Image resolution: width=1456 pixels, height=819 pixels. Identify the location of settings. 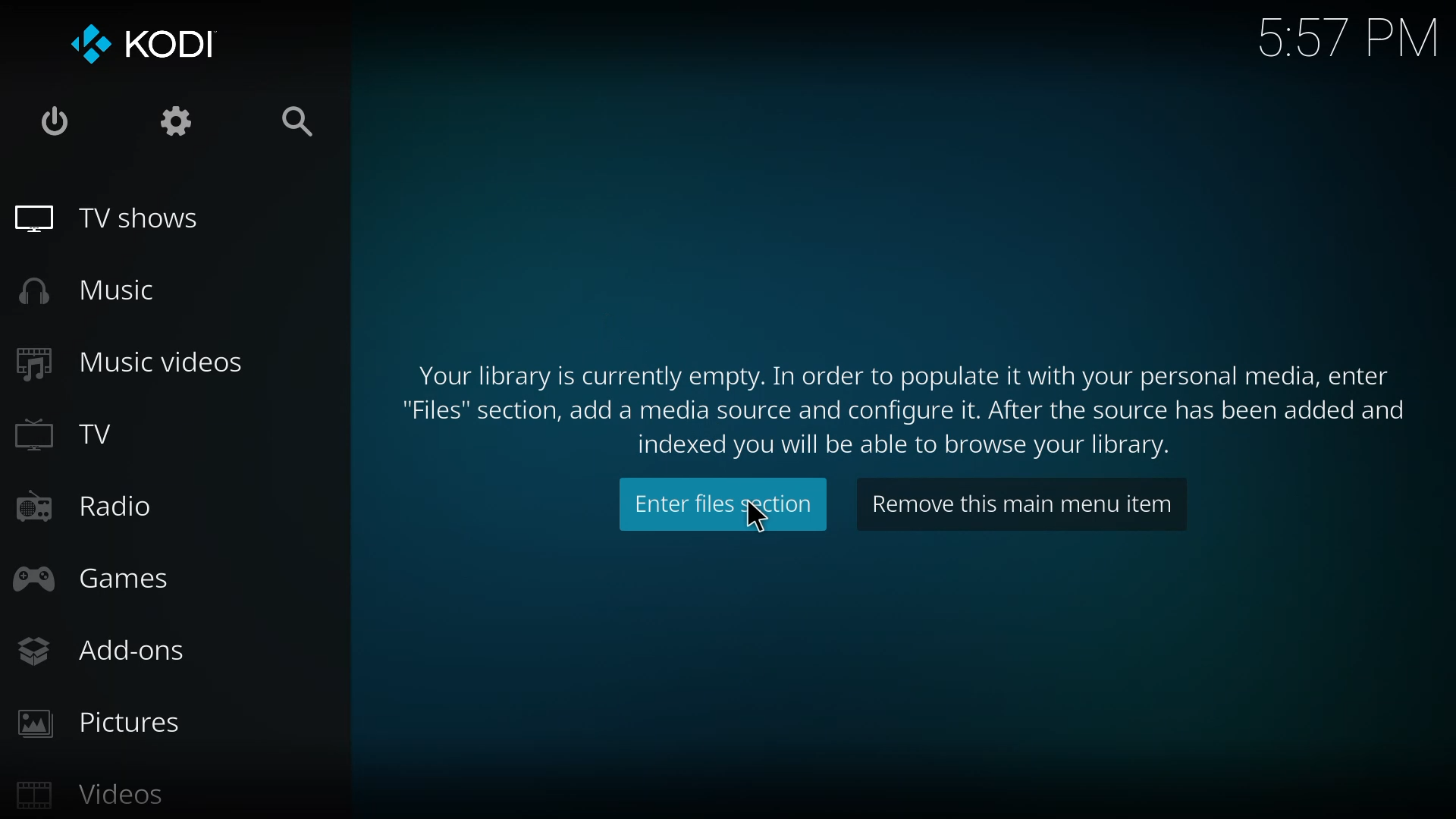
(184, 120).